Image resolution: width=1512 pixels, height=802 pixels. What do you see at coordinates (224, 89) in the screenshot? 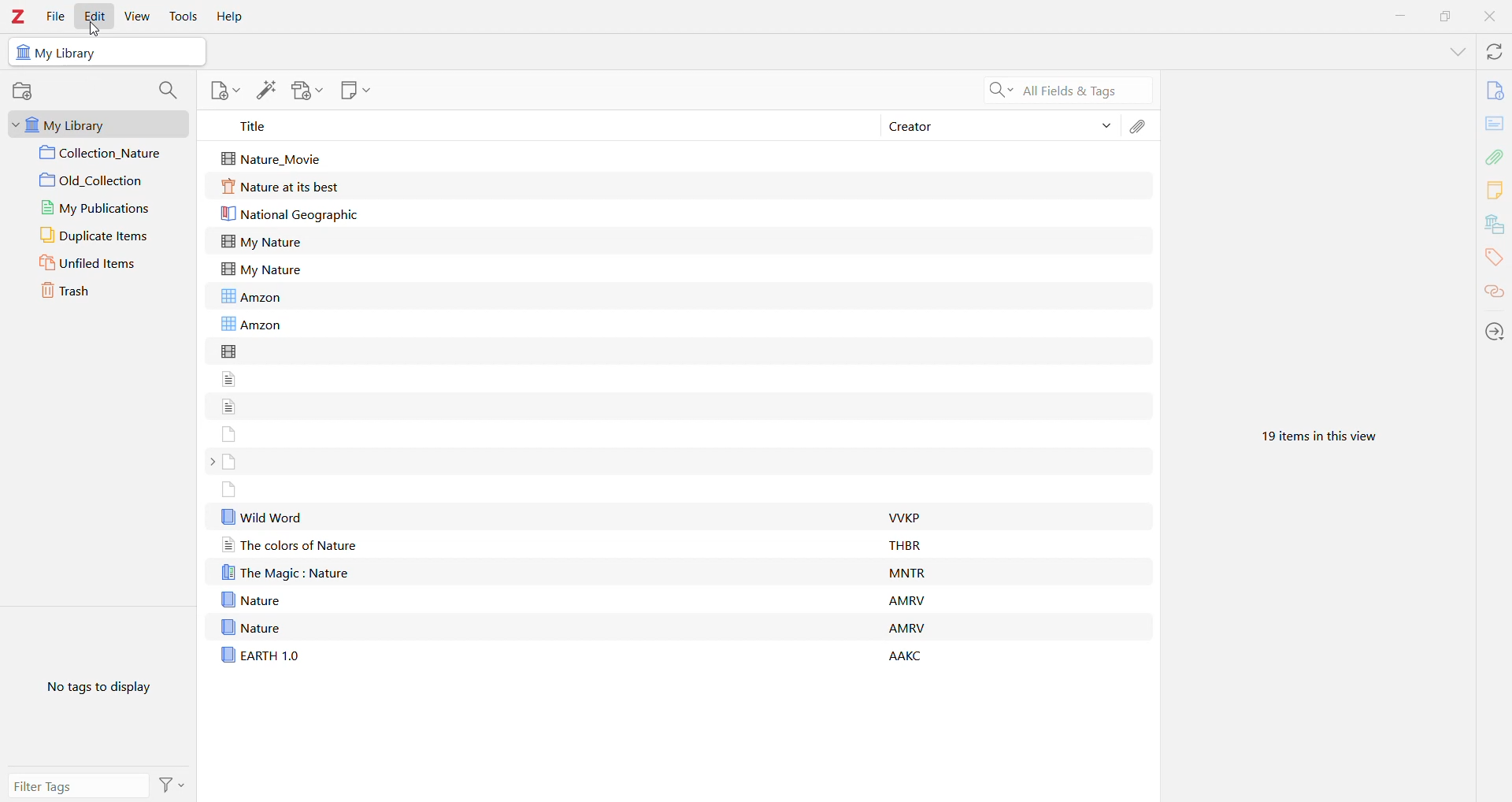
I see `New Item` at bounding box center [224, 89].